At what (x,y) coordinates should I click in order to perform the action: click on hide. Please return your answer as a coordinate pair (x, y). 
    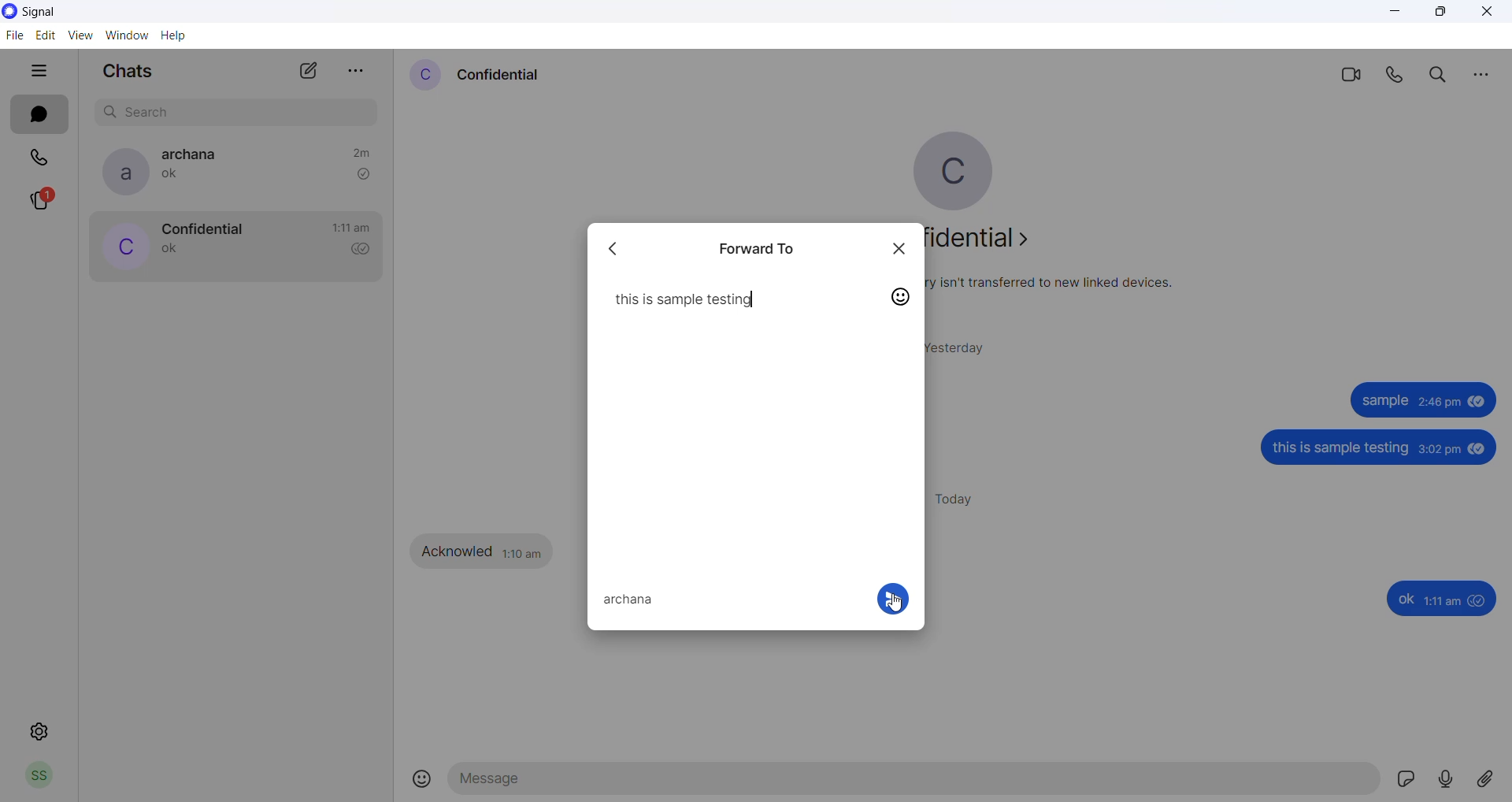
    Looking at the image, I should click on (39, 72).